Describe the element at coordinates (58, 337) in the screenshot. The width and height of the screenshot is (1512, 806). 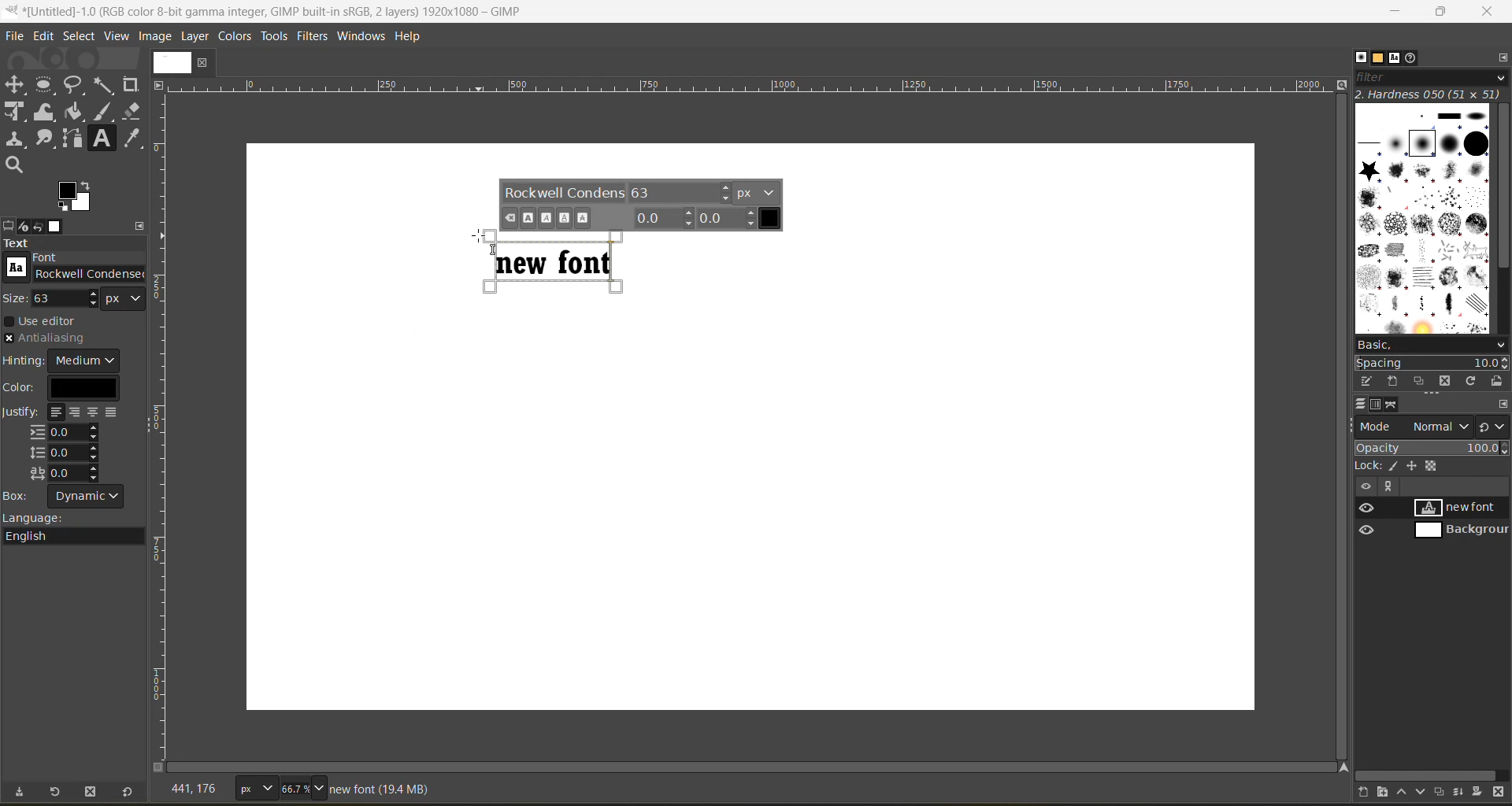
I see `anitaliasing` at that location.